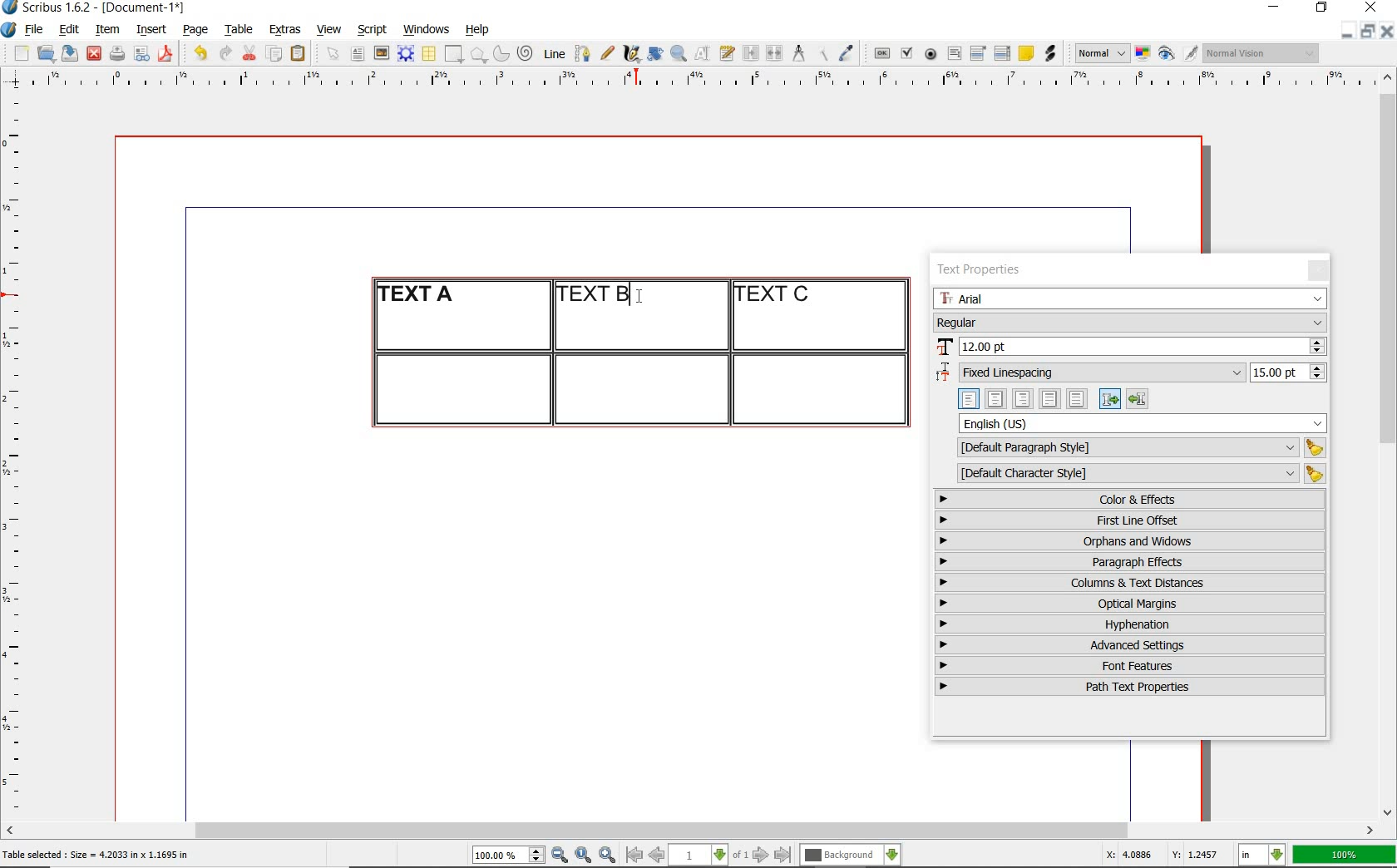  I want to click on unlink text frames, so click(774, 54).